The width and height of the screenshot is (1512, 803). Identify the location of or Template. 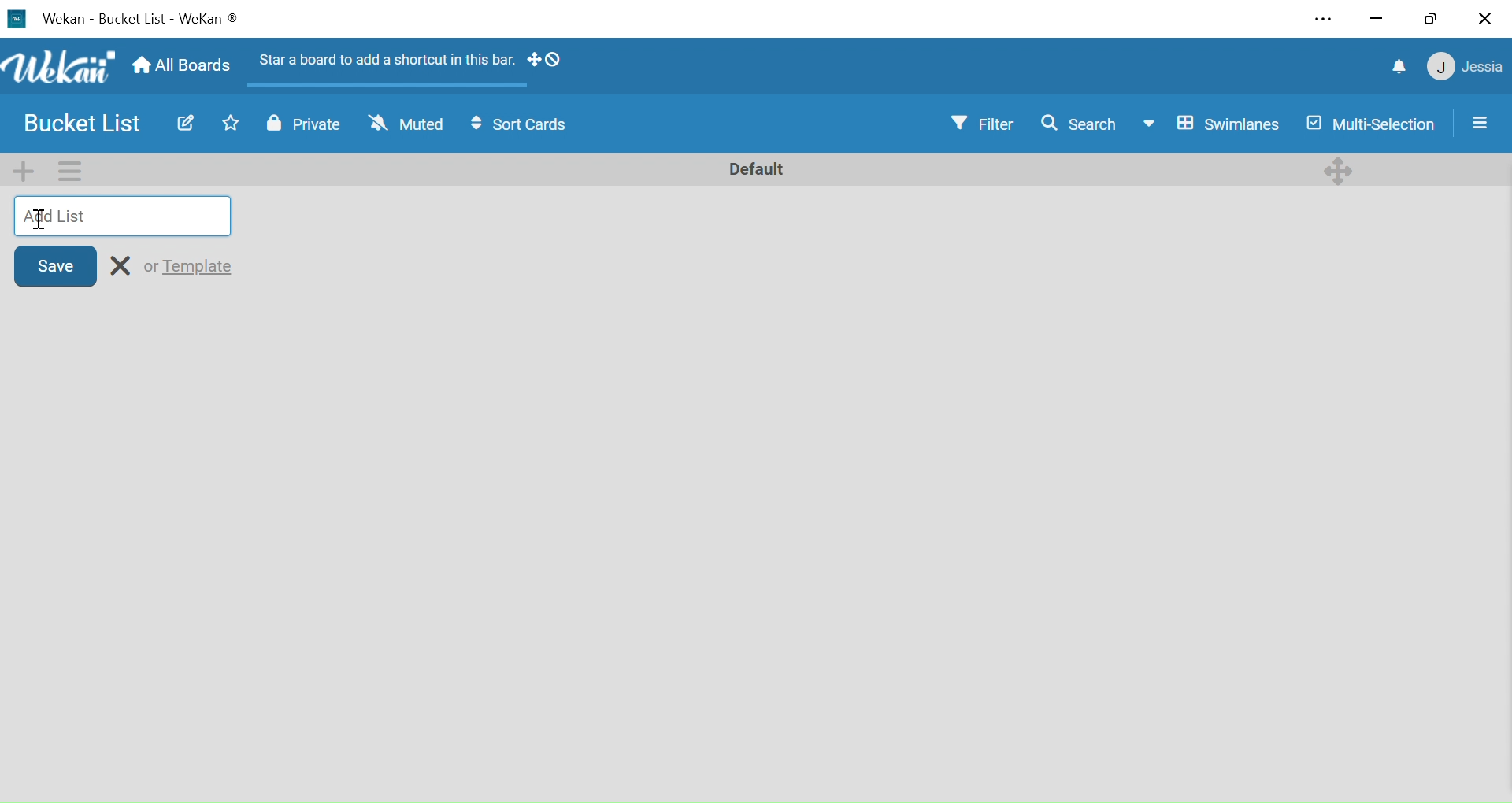
(190, 265).